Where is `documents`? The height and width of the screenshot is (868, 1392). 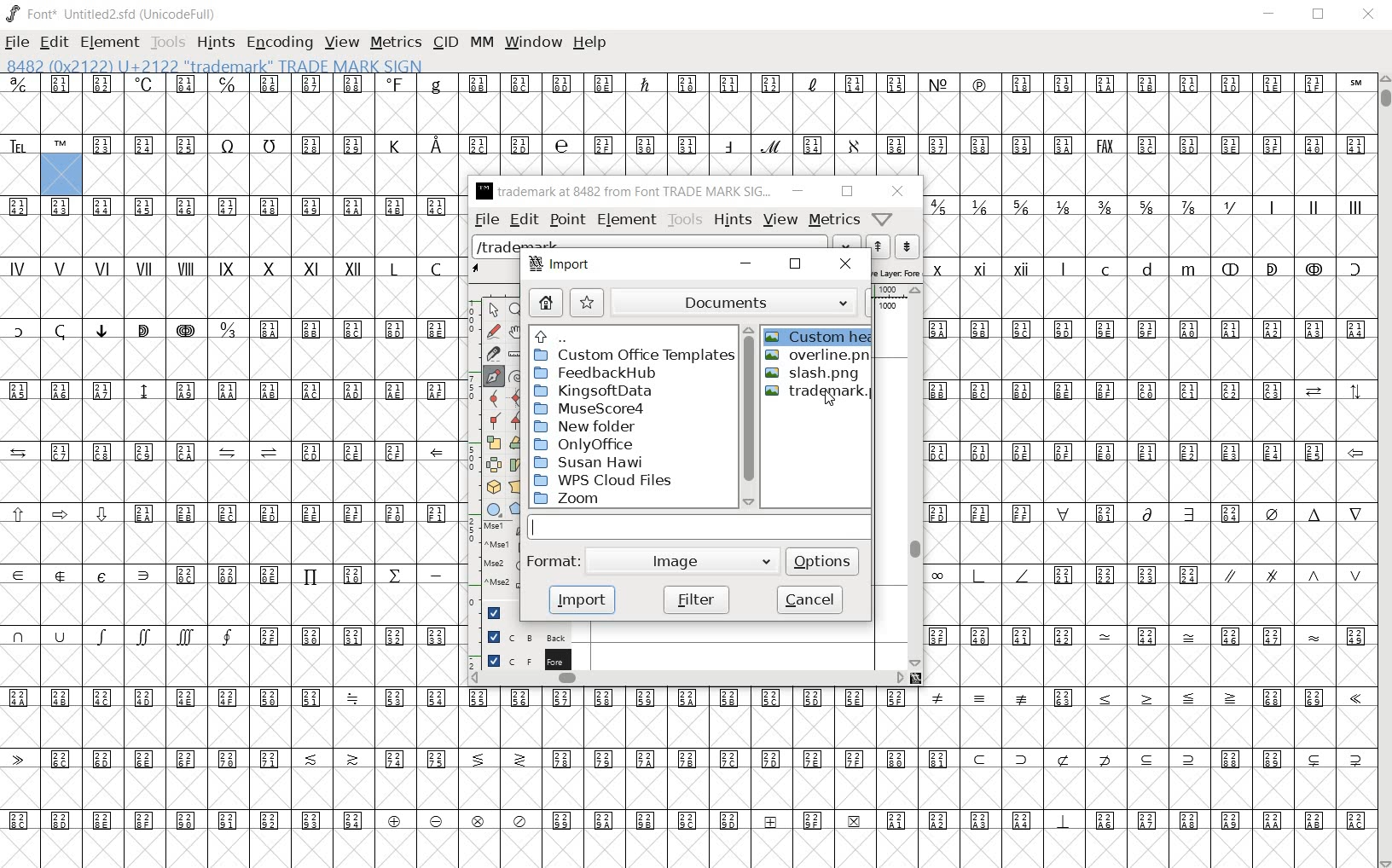 documents is located at coordinates (743, 301).